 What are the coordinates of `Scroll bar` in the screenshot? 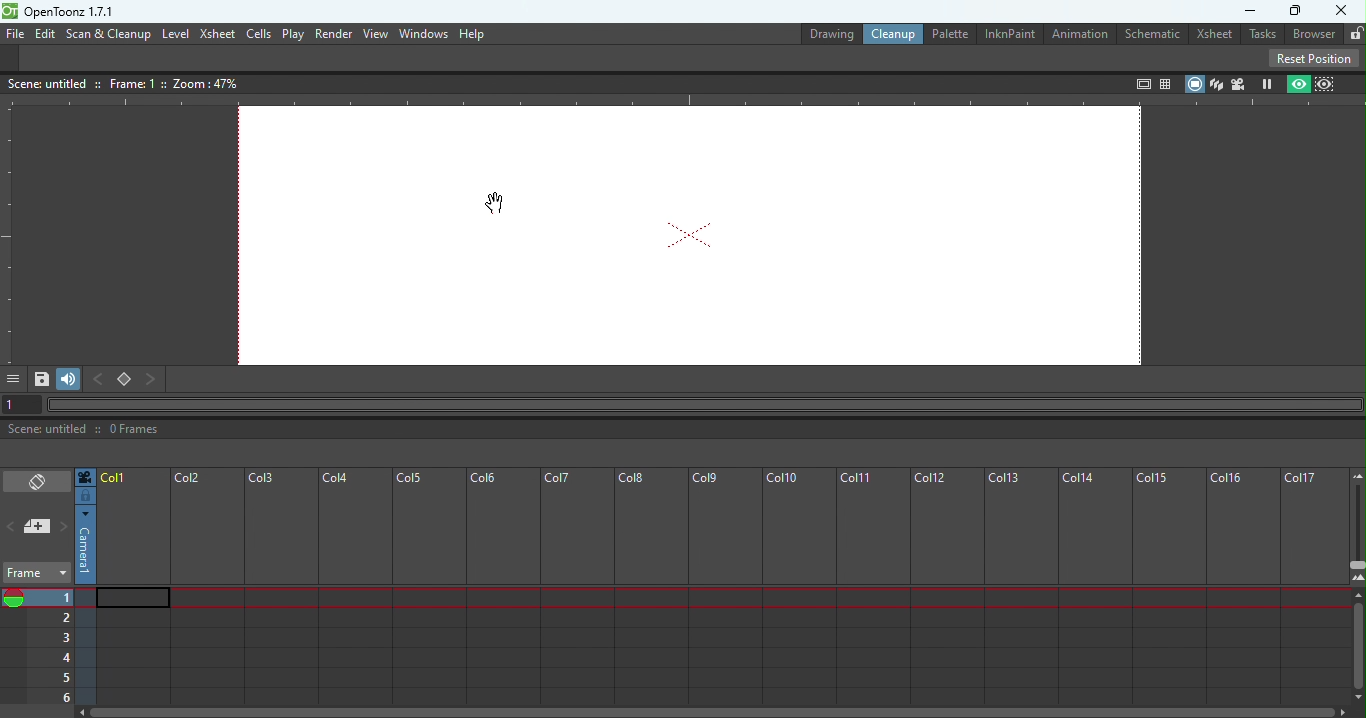 It's located at (1356, 643).